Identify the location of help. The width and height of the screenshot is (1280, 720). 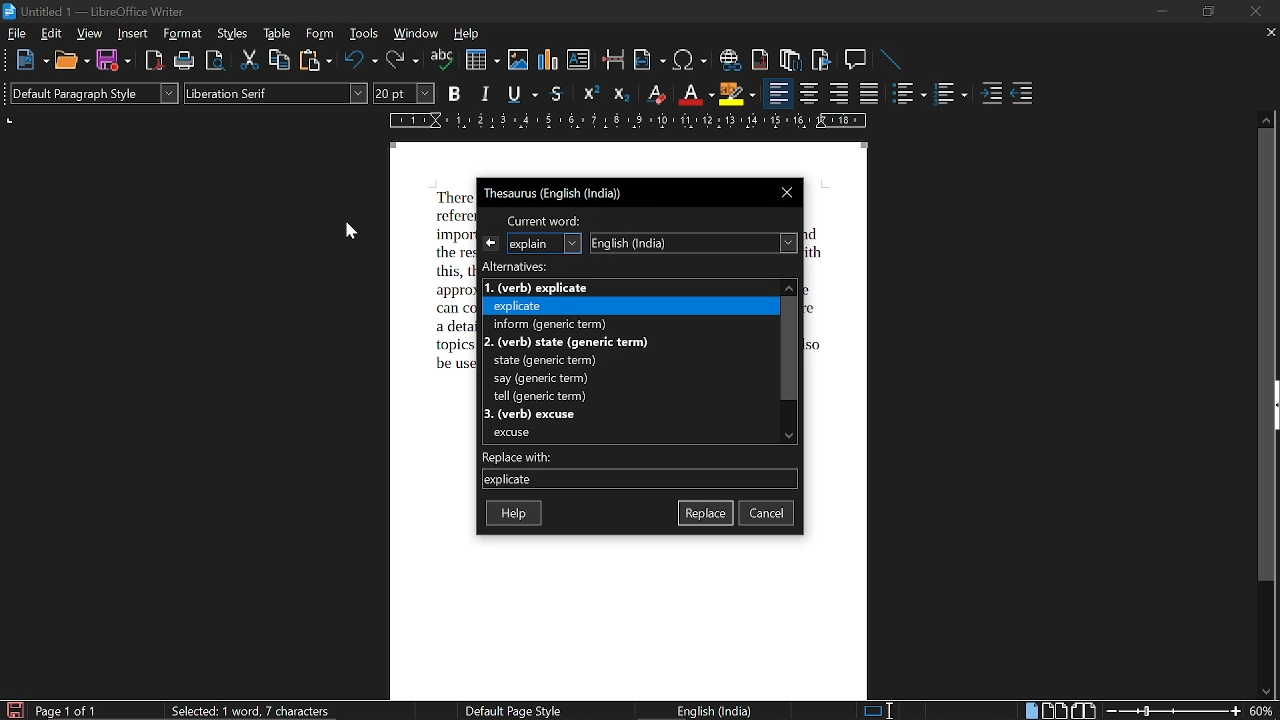
(464, 34).